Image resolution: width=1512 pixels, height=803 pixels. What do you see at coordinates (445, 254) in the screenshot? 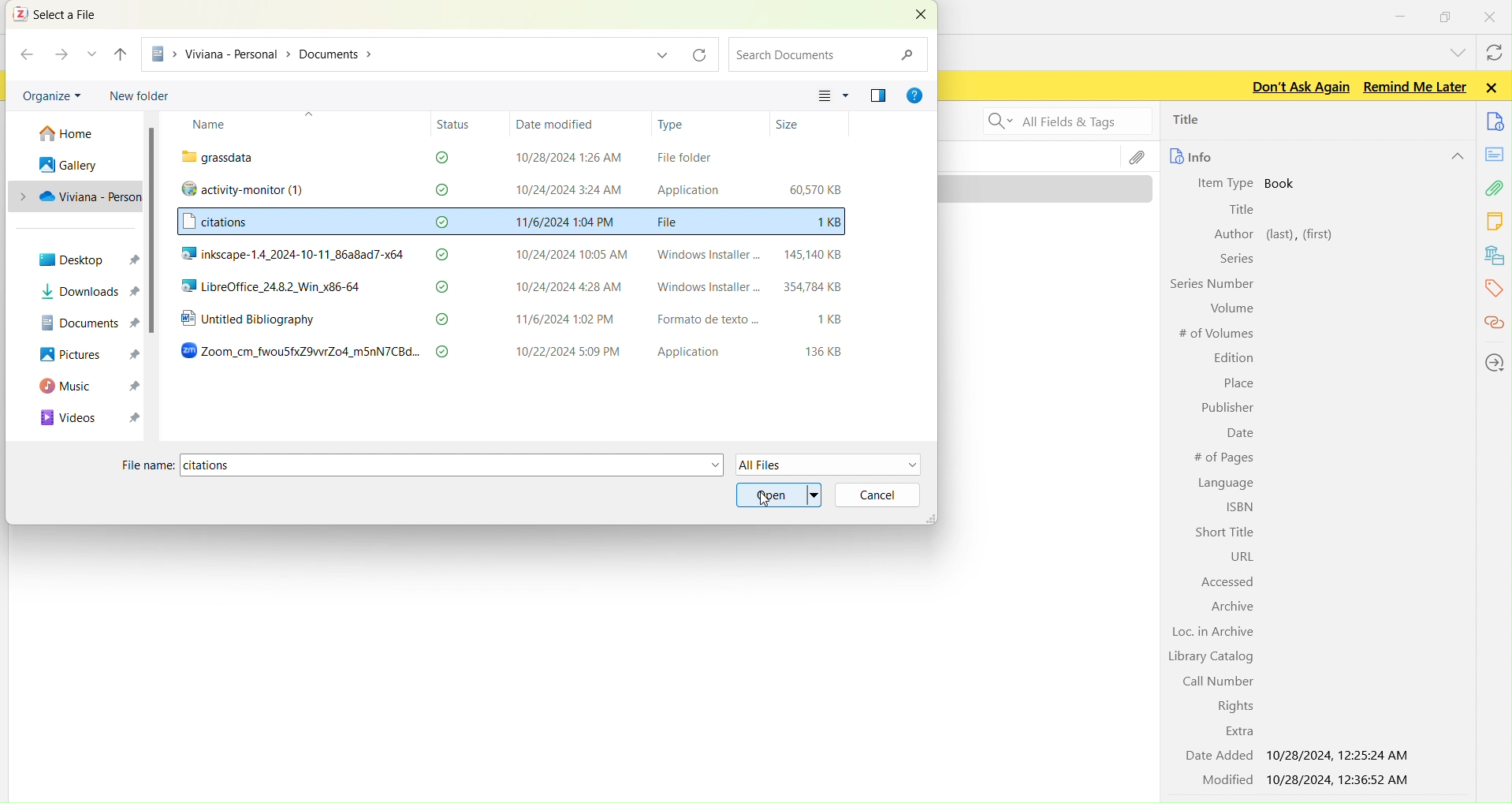
I see `check` at bounding box center [445, 254].